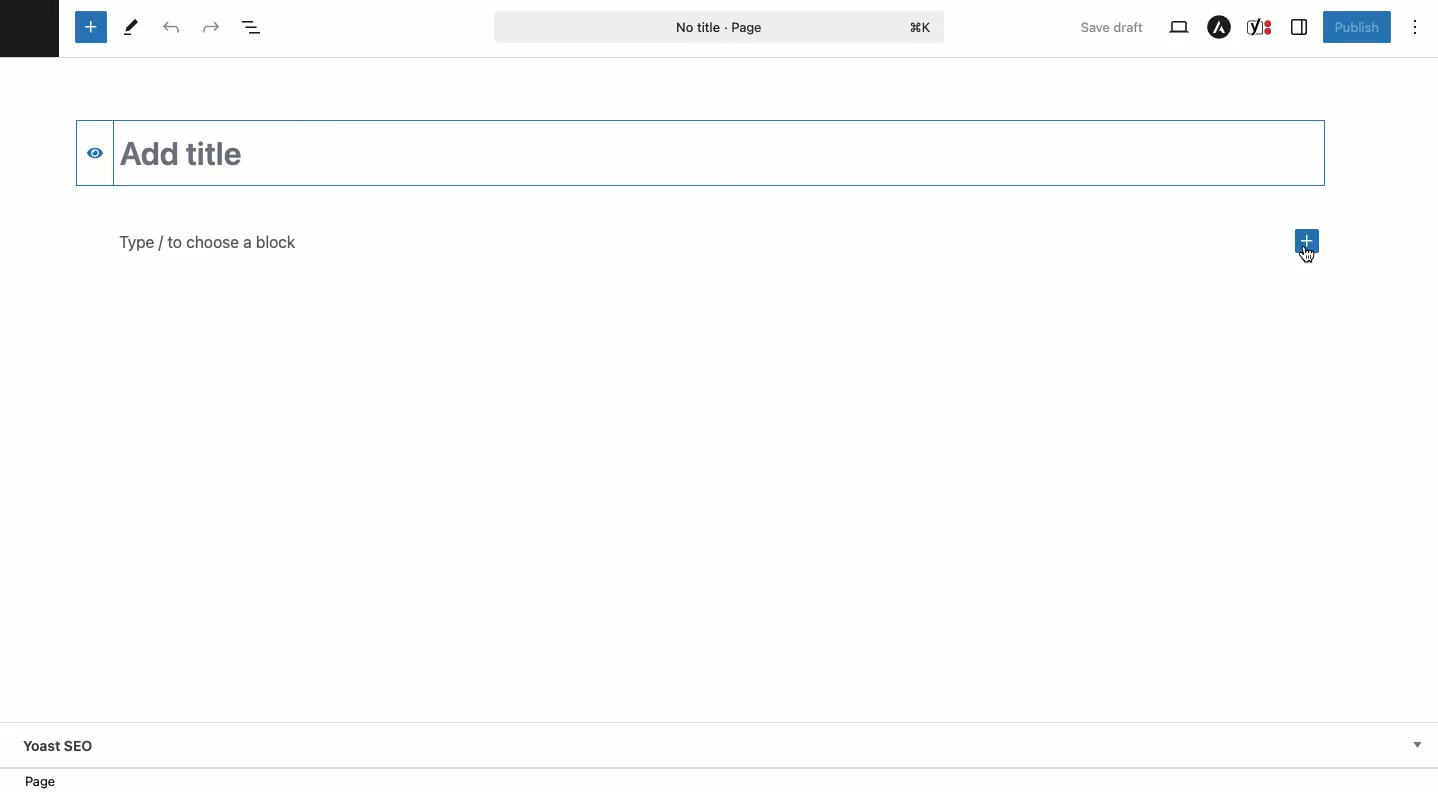 The width and height of the screenshot is (1438, 792). What do you see at coordinates (1220, 27) in the screenshot?
I see `Astra` at bounding box center [1220, 27].